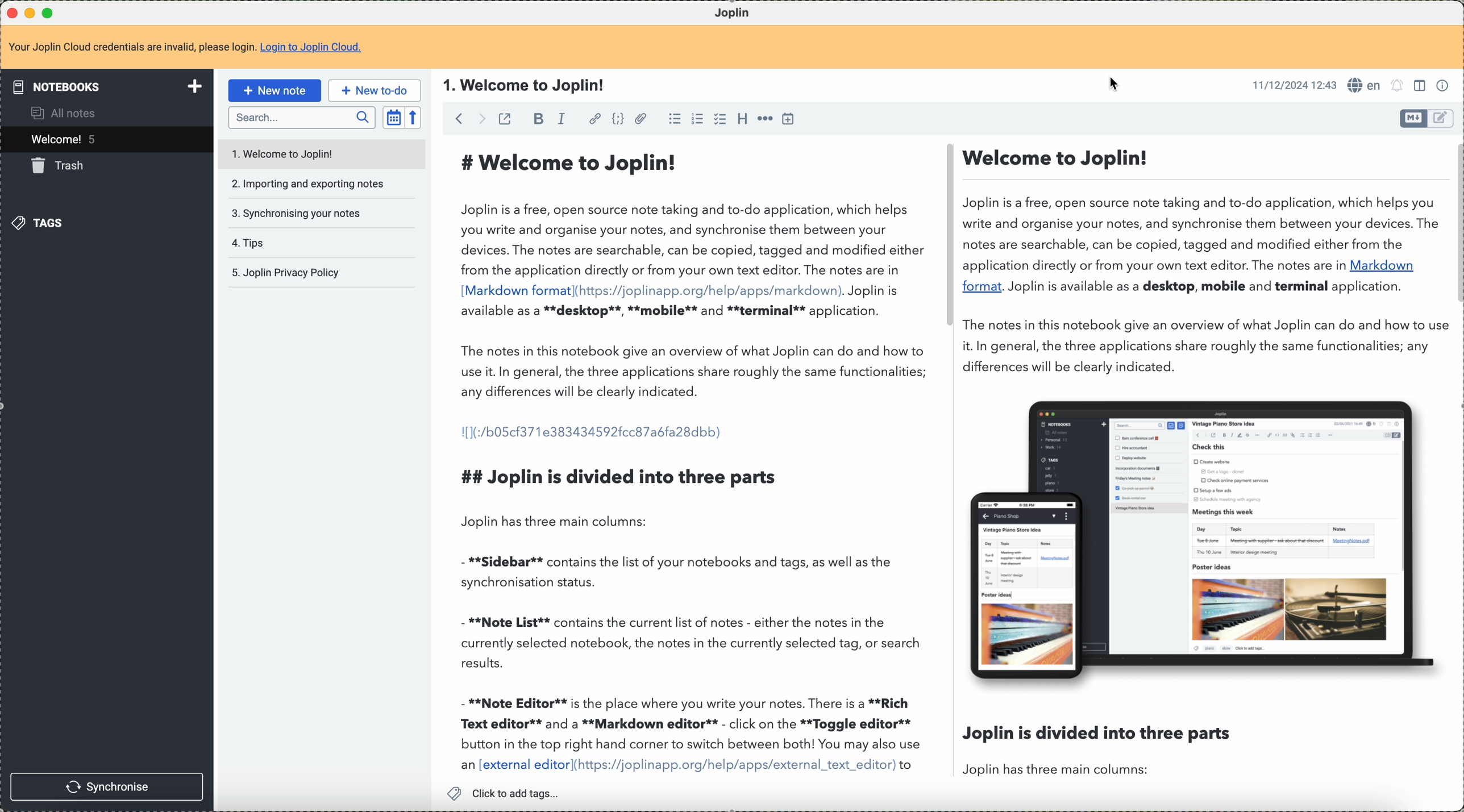 Image resolution: width=1464 pixels, height=812 pixels. I want to click on insert time, so click(790, 119).